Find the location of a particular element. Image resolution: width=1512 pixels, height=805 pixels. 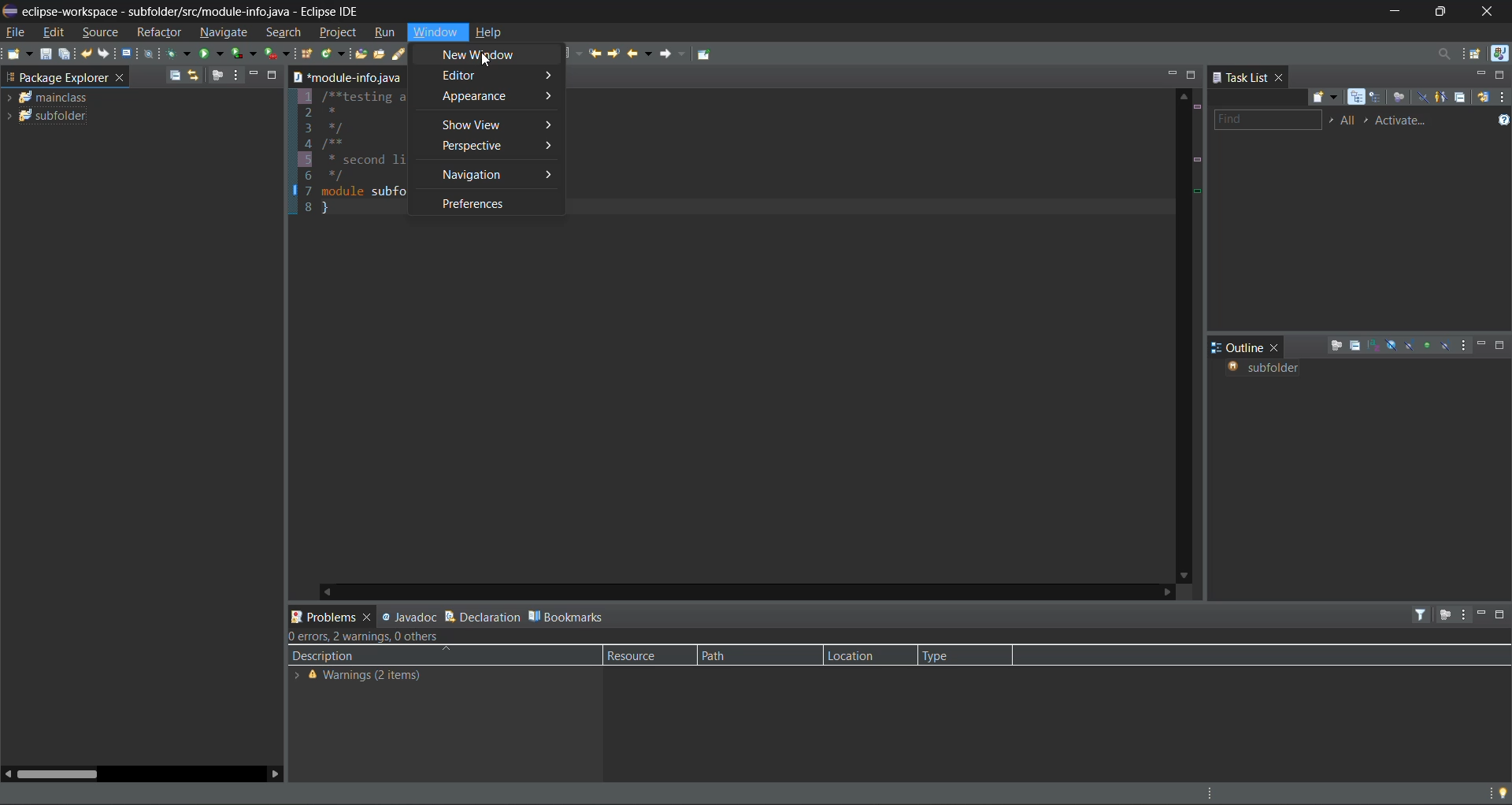

show tasks UI legend is located at coordinates (1498, 123).